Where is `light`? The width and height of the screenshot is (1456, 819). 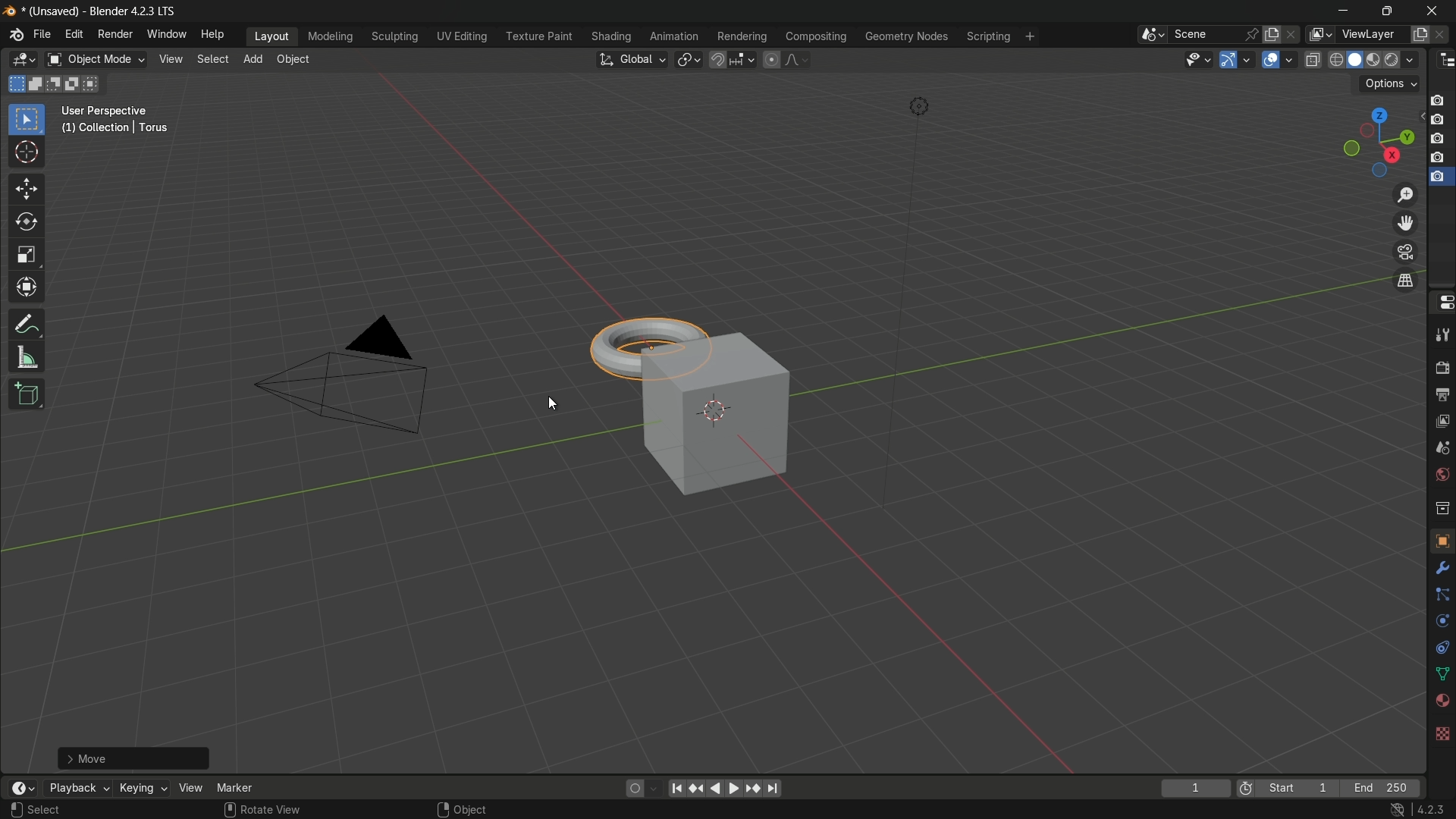
light is located at coordinates (918, 107).